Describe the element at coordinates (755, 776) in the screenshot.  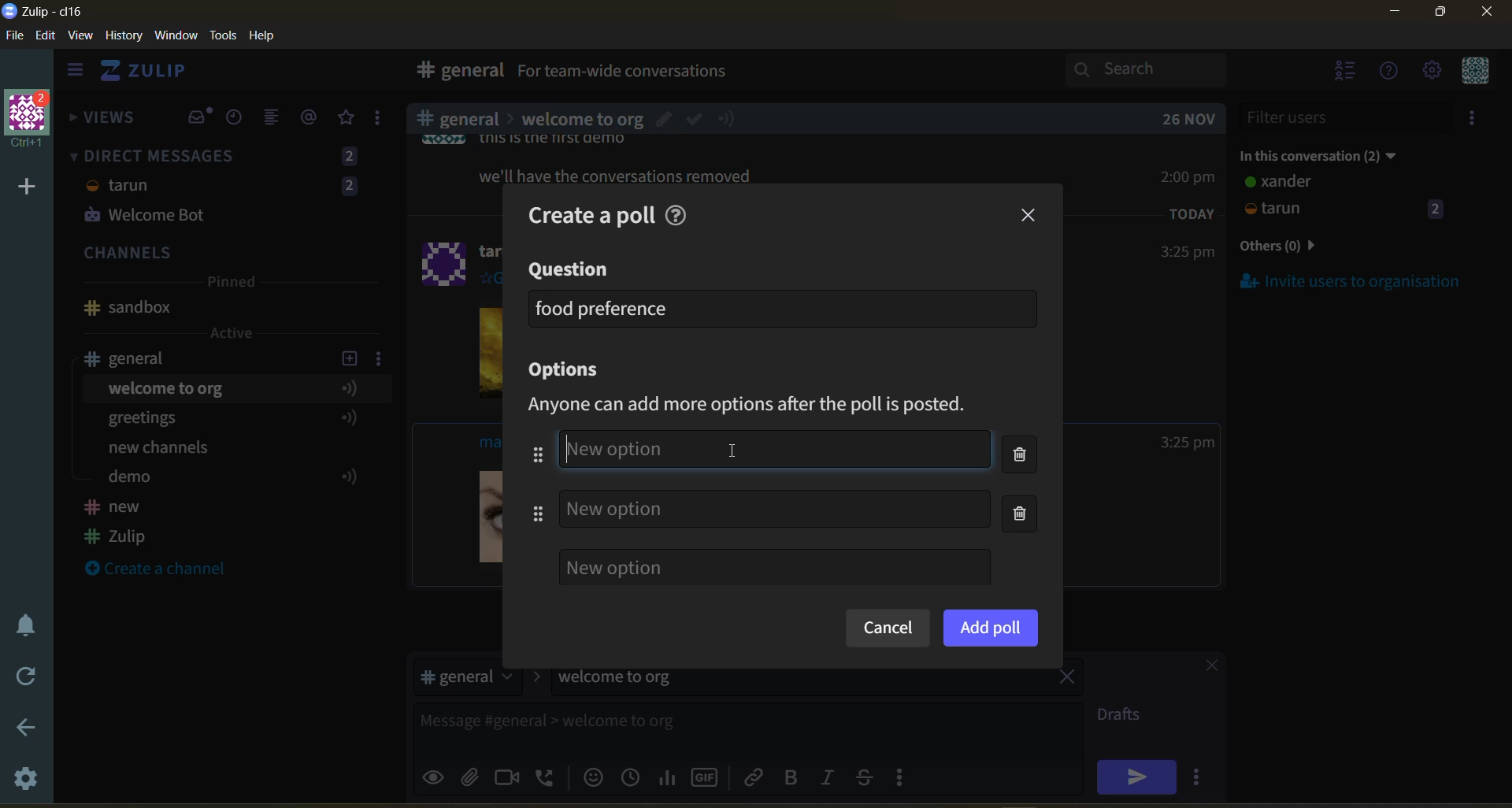
I see `link` at that location.